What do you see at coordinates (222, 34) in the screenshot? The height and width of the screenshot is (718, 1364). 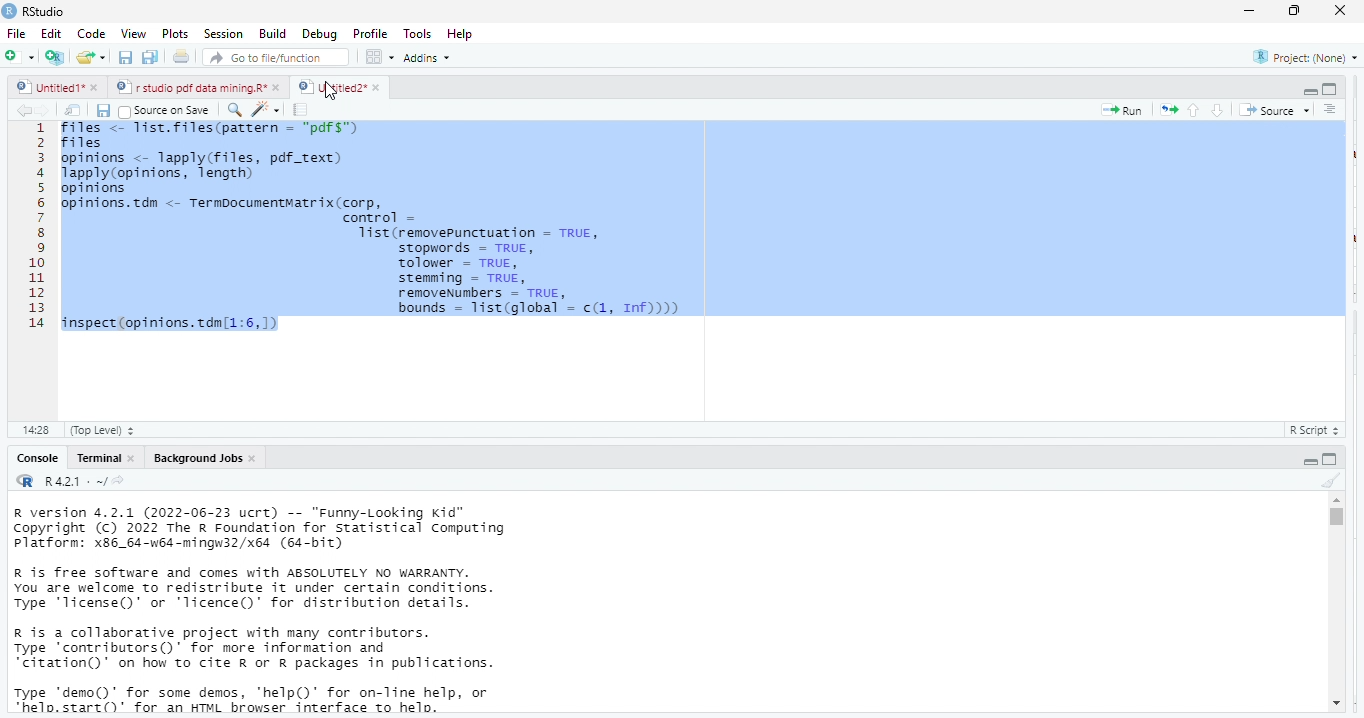 I see `session` at bounding box center [222, 34].